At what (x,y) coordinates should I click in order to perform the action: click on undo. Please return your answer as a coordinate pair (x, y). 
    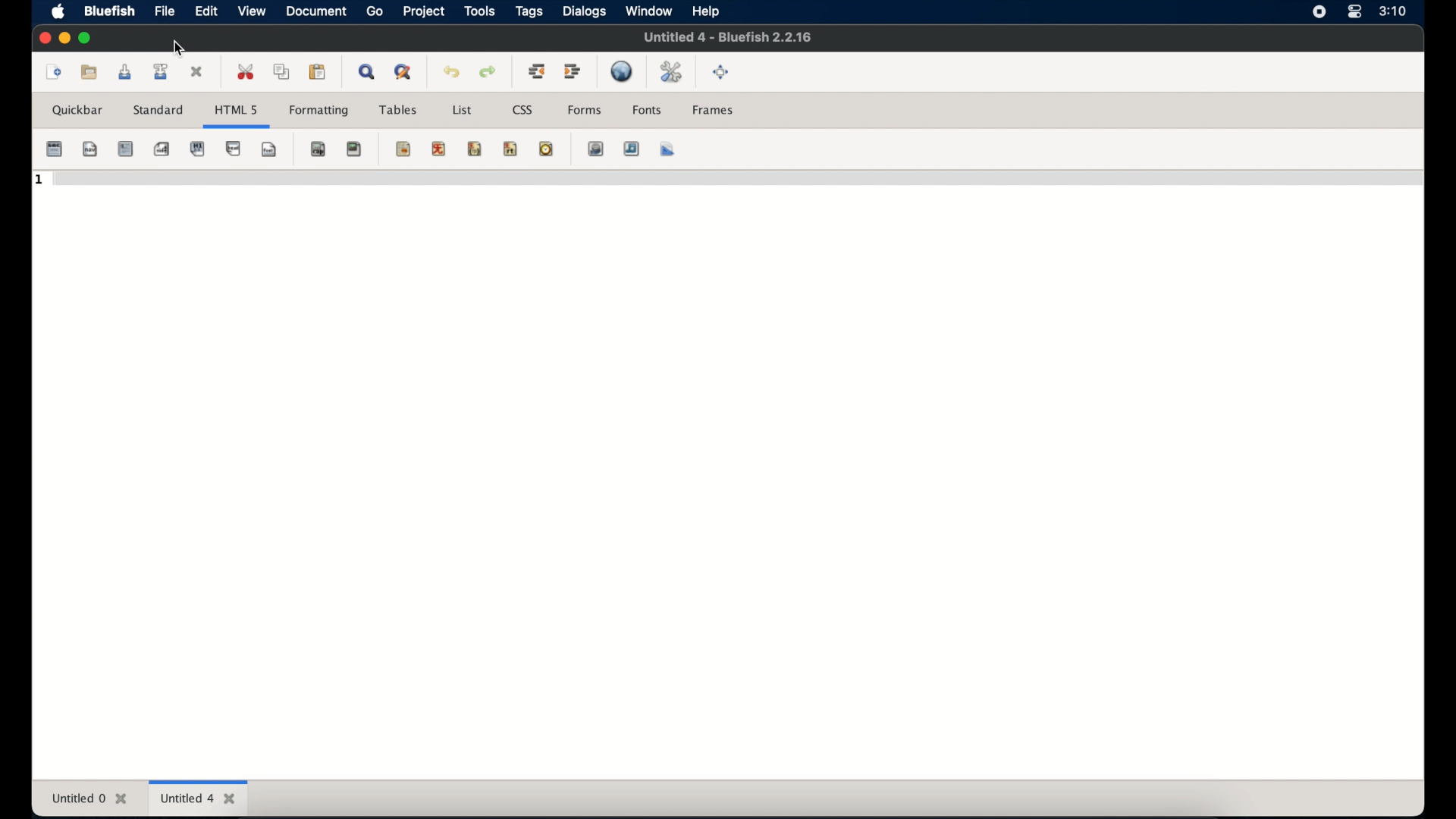
    Looking at the image, I should click on (452, 72).